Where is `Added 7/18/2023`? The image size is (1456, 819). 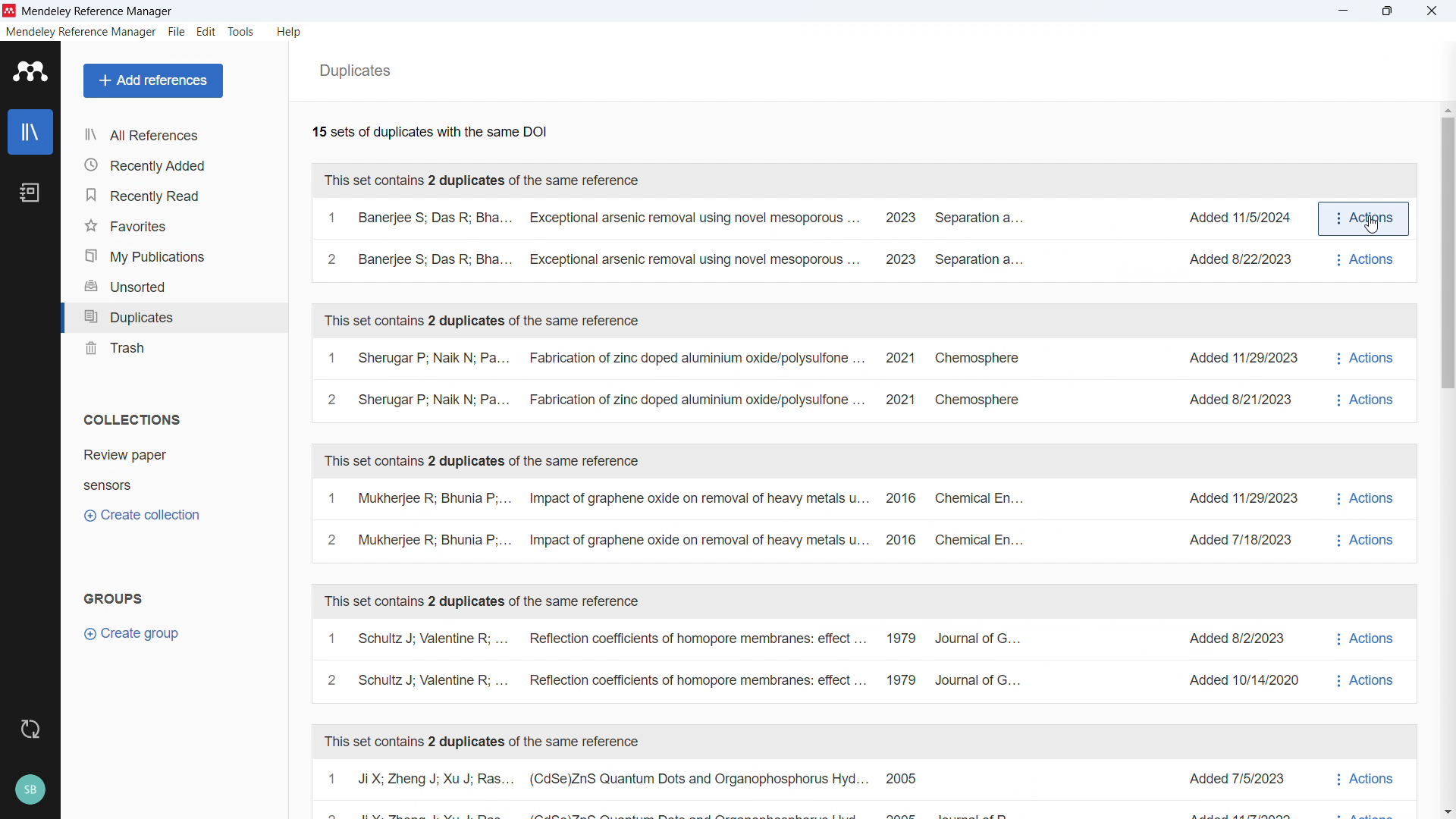 Added 7/18/2023 is located at coordinates (1232, 541).